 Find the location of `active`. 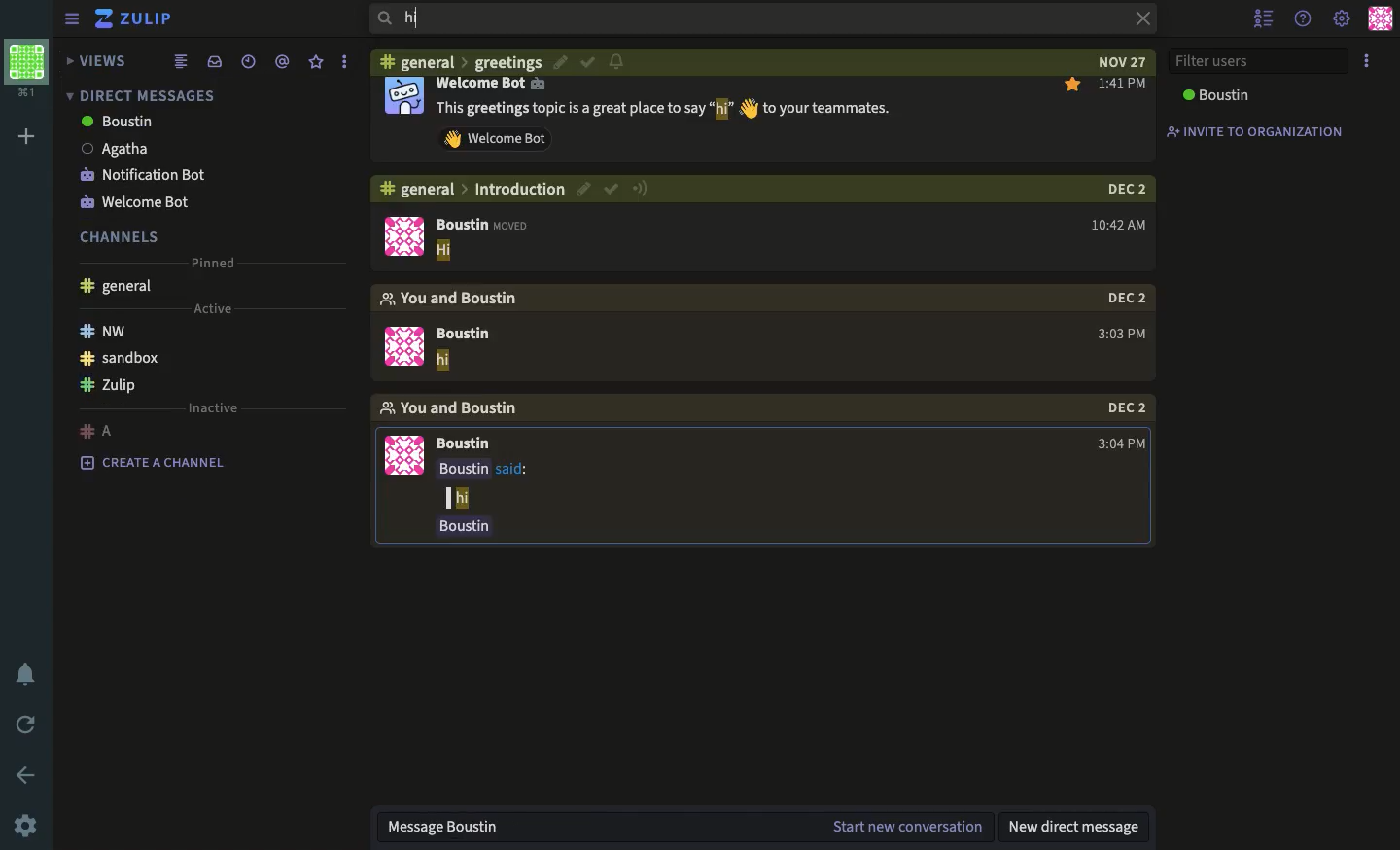

active is located at coordinates (213, 309).